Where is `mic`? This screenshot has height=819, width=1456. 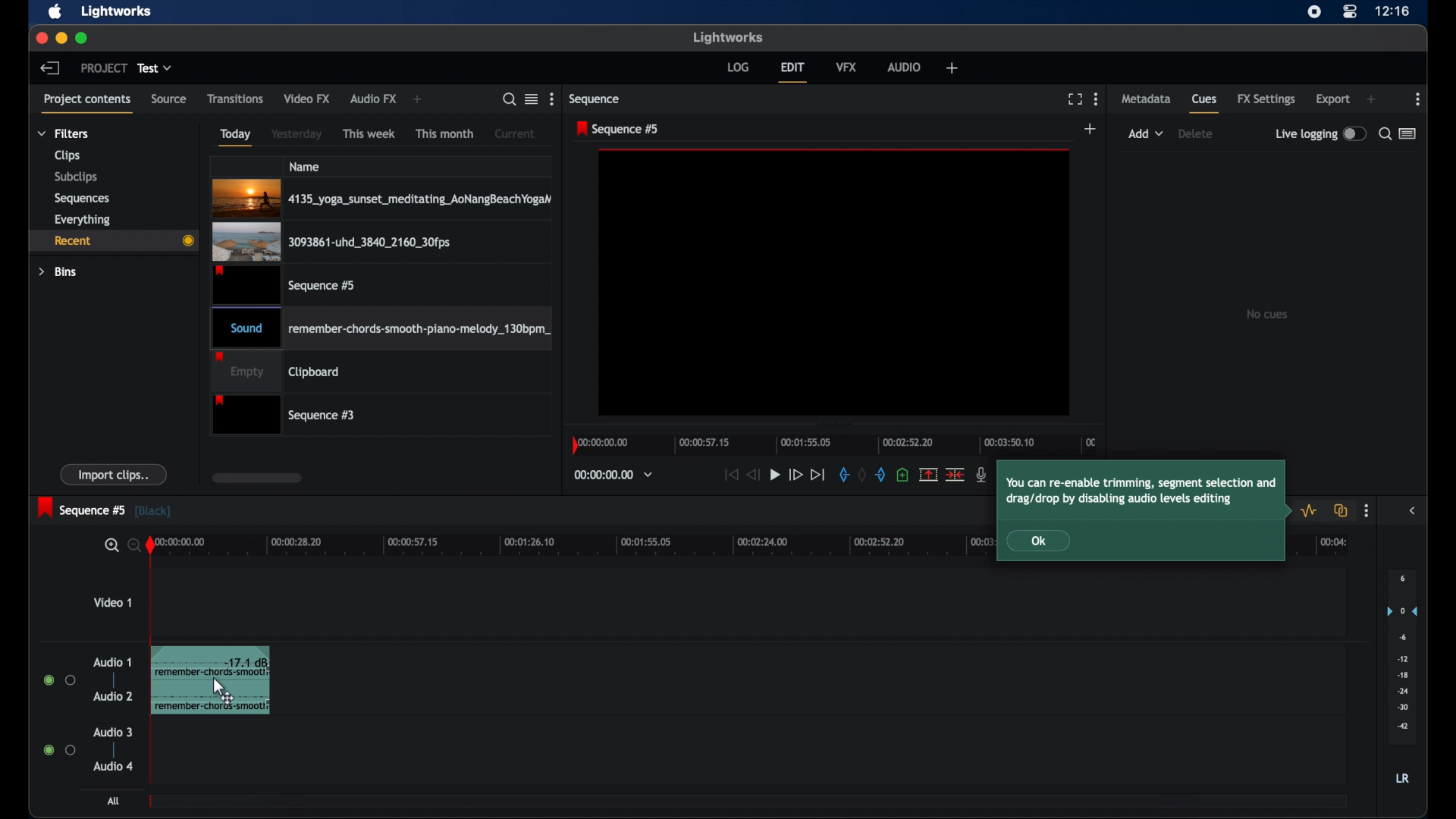
mic is located at coordinates (982, 475).